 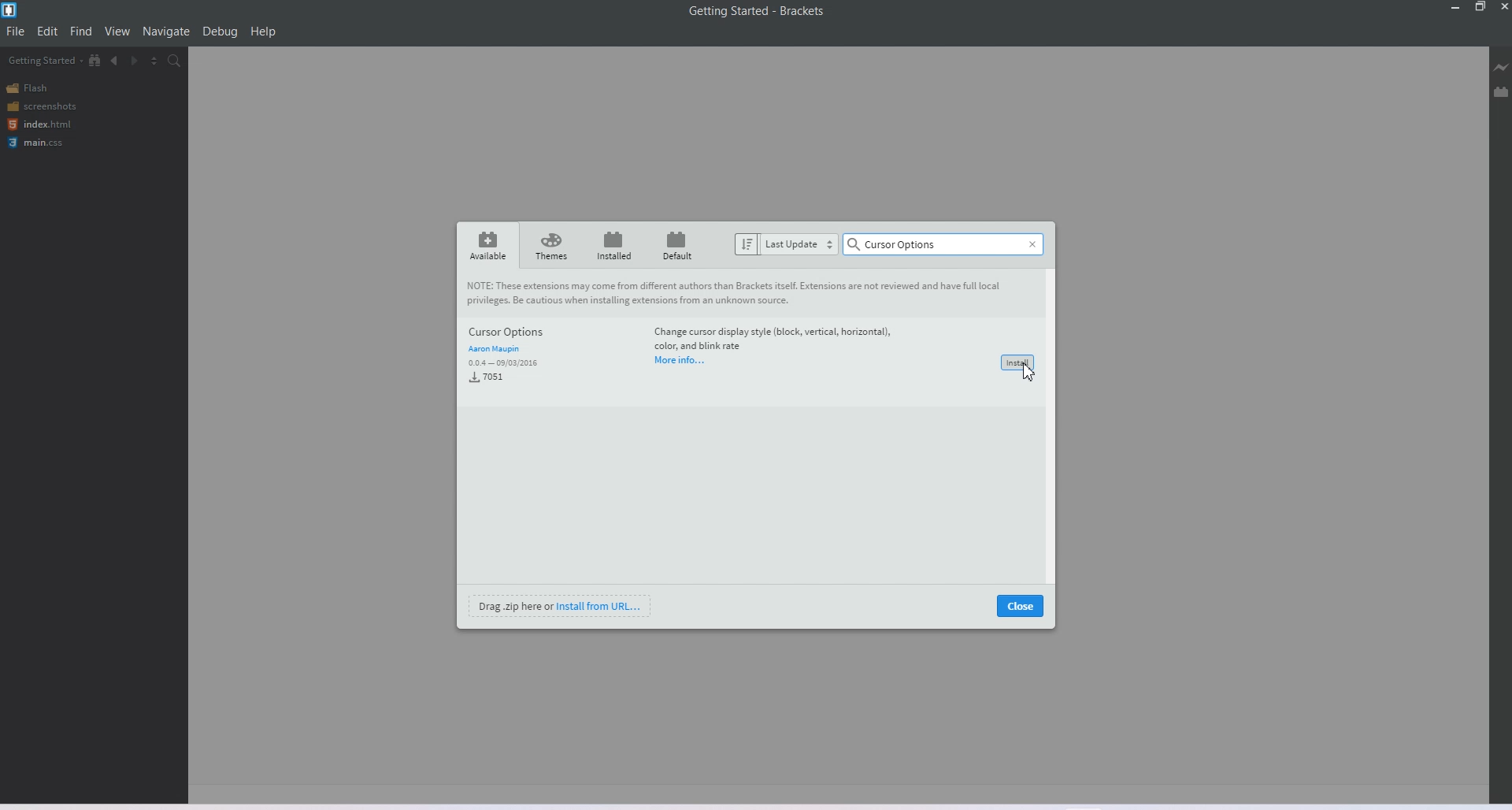 I want to click on extension information, so click(x=772, y=339).